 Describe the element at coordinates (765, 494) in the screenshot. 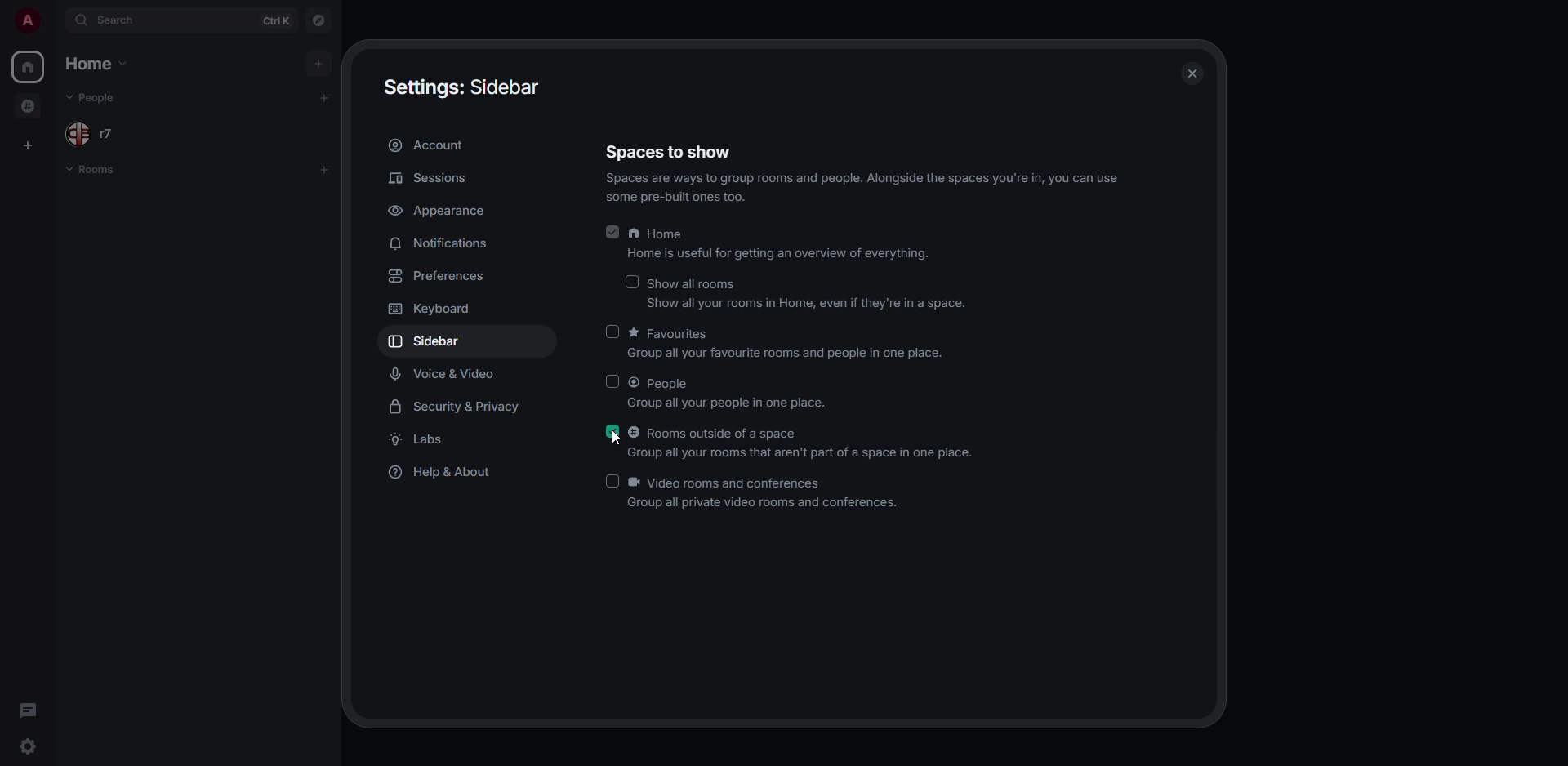

I see `video rooms and conferences` at that location.